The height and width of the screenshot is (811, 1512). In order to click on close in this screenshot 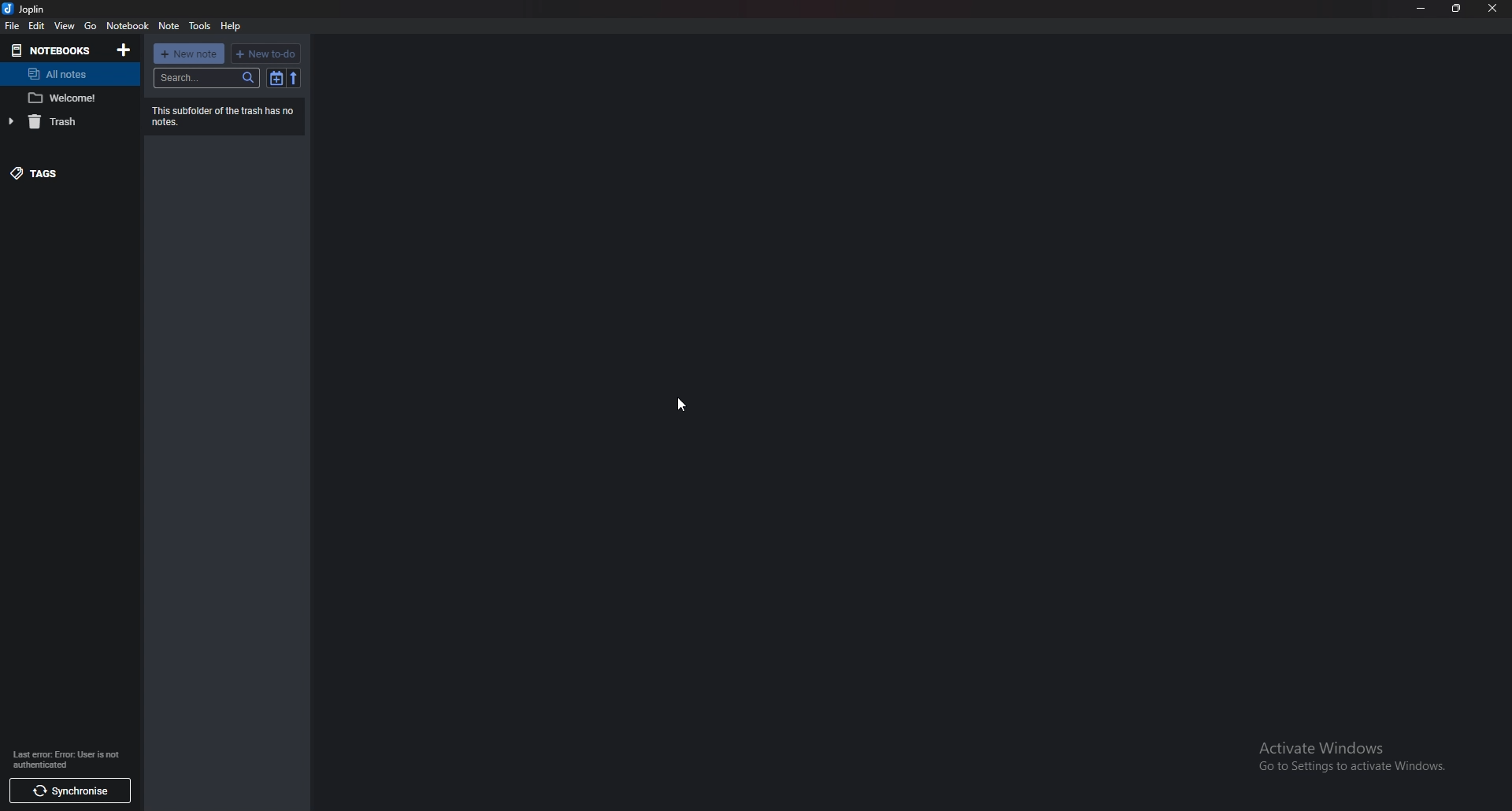, I will do `click(1492, 9)`.